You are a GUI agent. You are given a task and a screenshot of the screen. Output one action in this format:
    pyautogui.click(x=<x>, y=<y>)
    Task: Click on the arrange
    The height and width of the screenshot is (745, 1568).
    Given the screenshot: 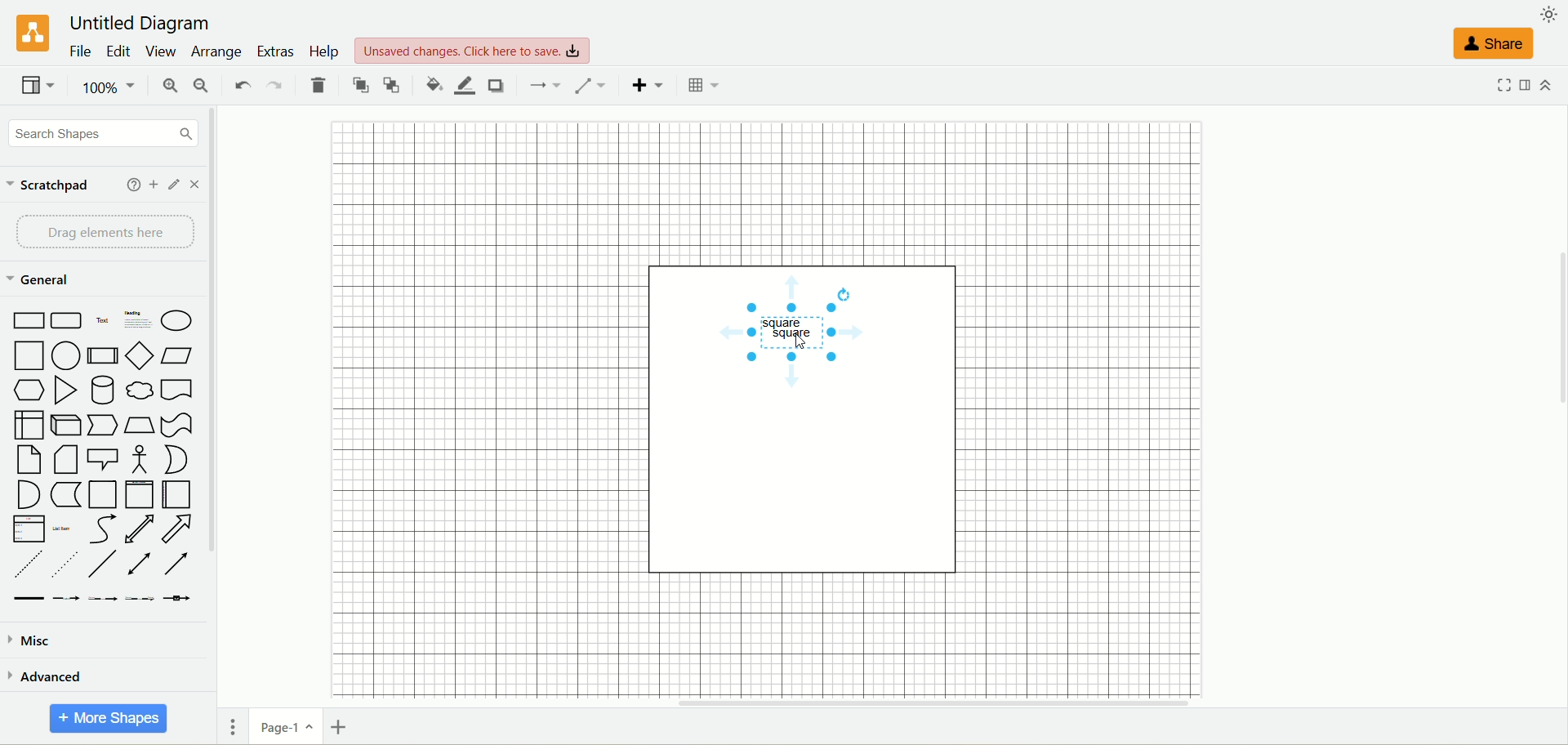 What is the action you would take?
    pyautogui.click(x=215, y=52)
    